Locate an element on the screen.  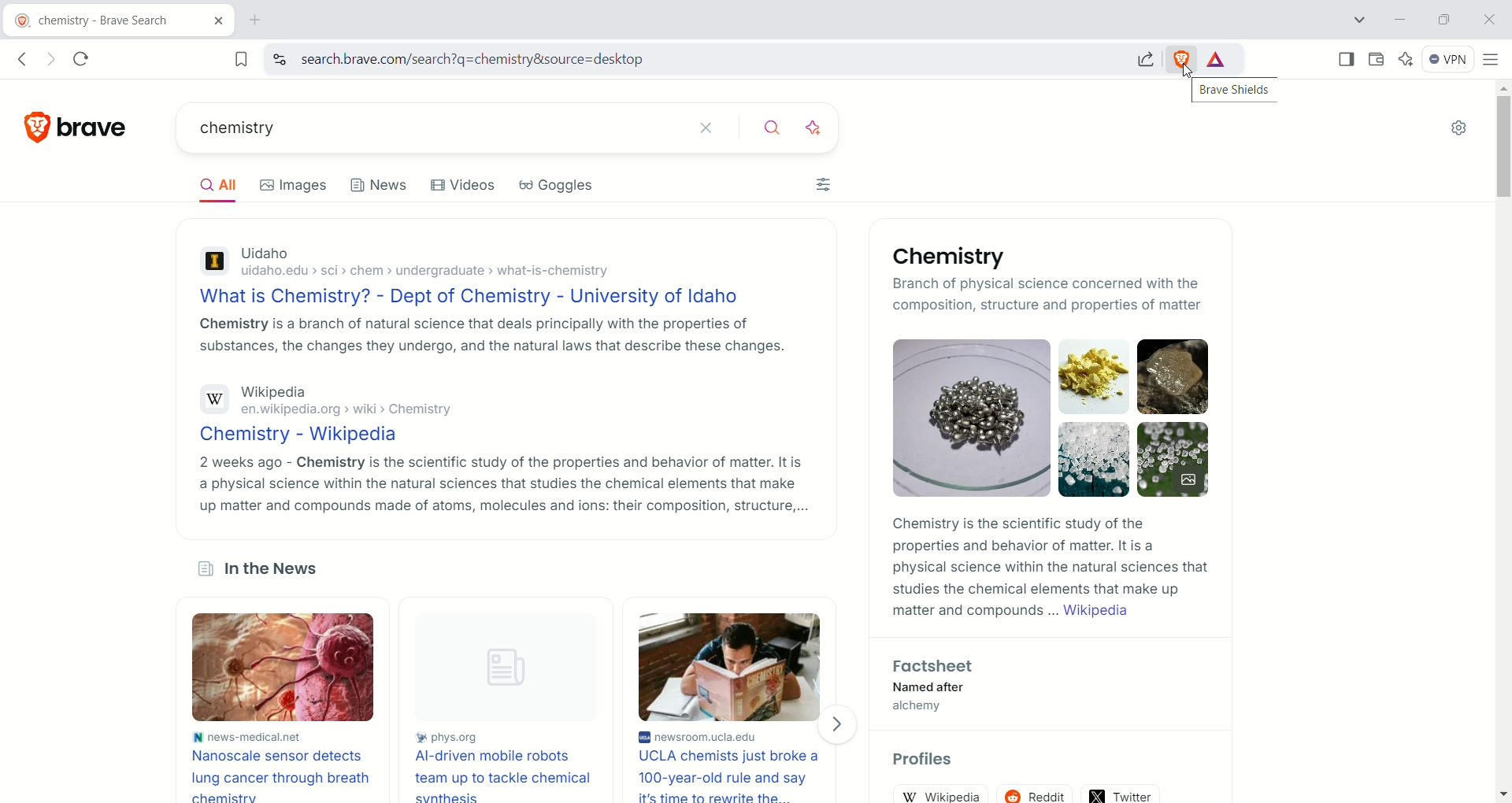
nanoscale sensor detects lung cancer through breath chemistry is located at coordinates (284, 774).